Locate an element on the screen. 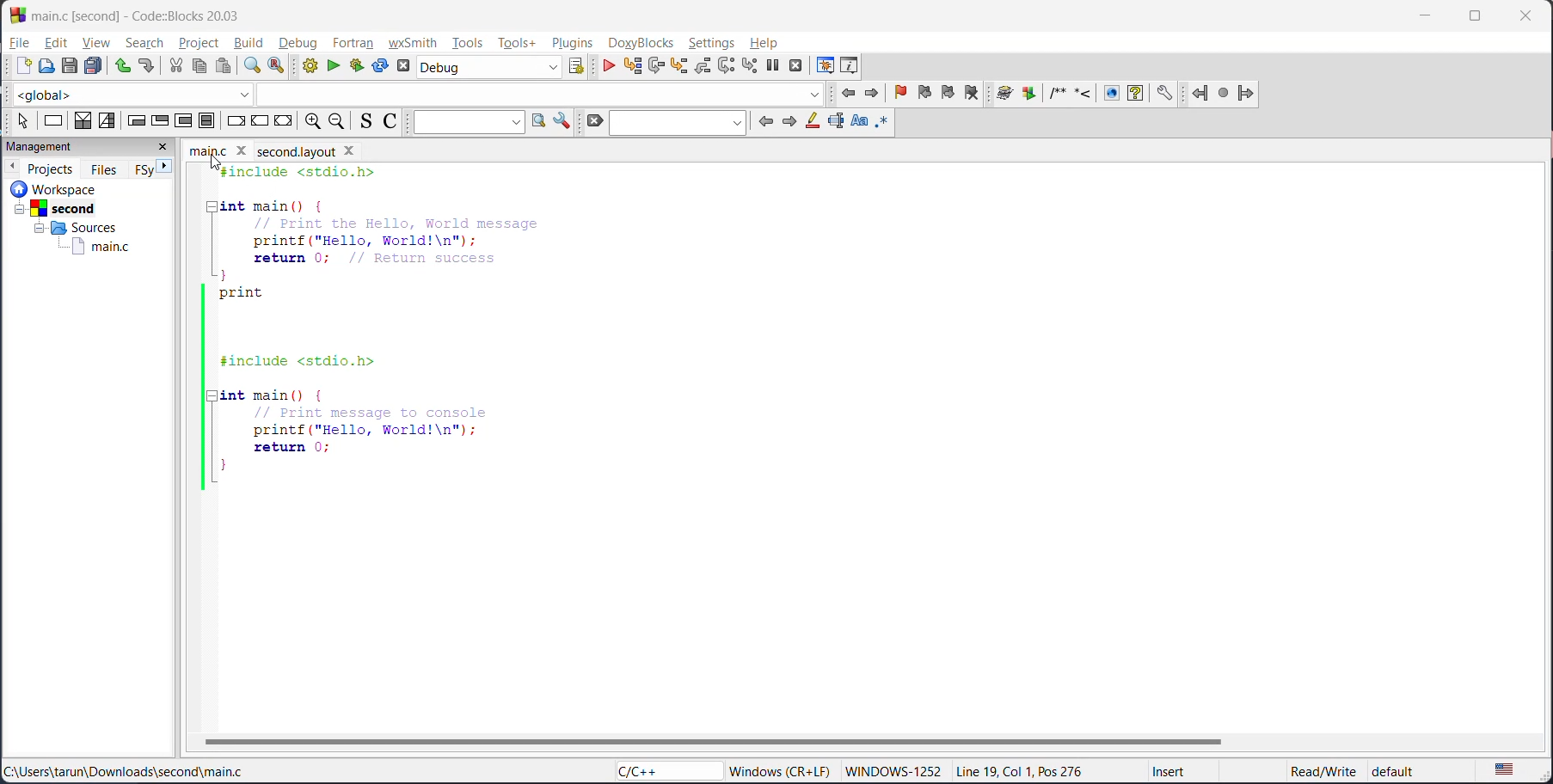 Image resolution: width=1553 pixels, height=784 pixels. break instruction is located at coordinates (233, 121).